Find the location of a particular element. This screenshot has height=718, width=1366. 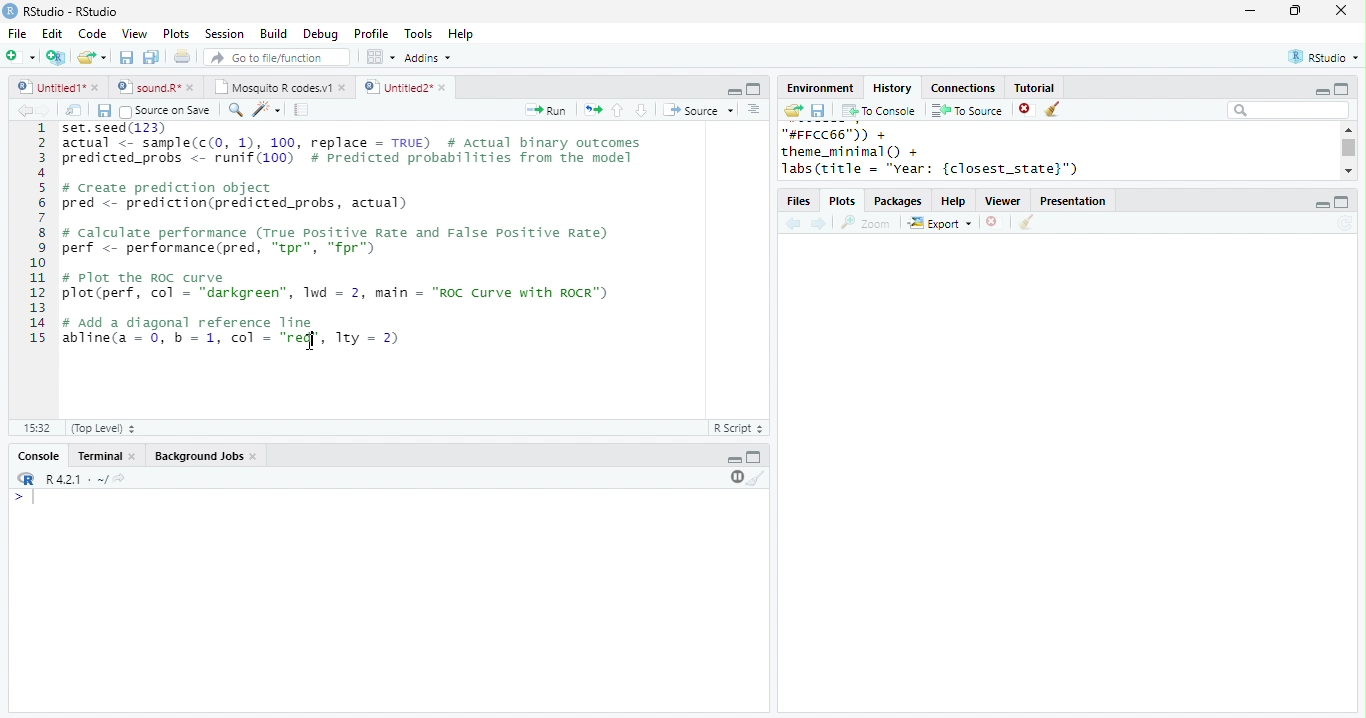

Code is located at coordinates (92, 33).